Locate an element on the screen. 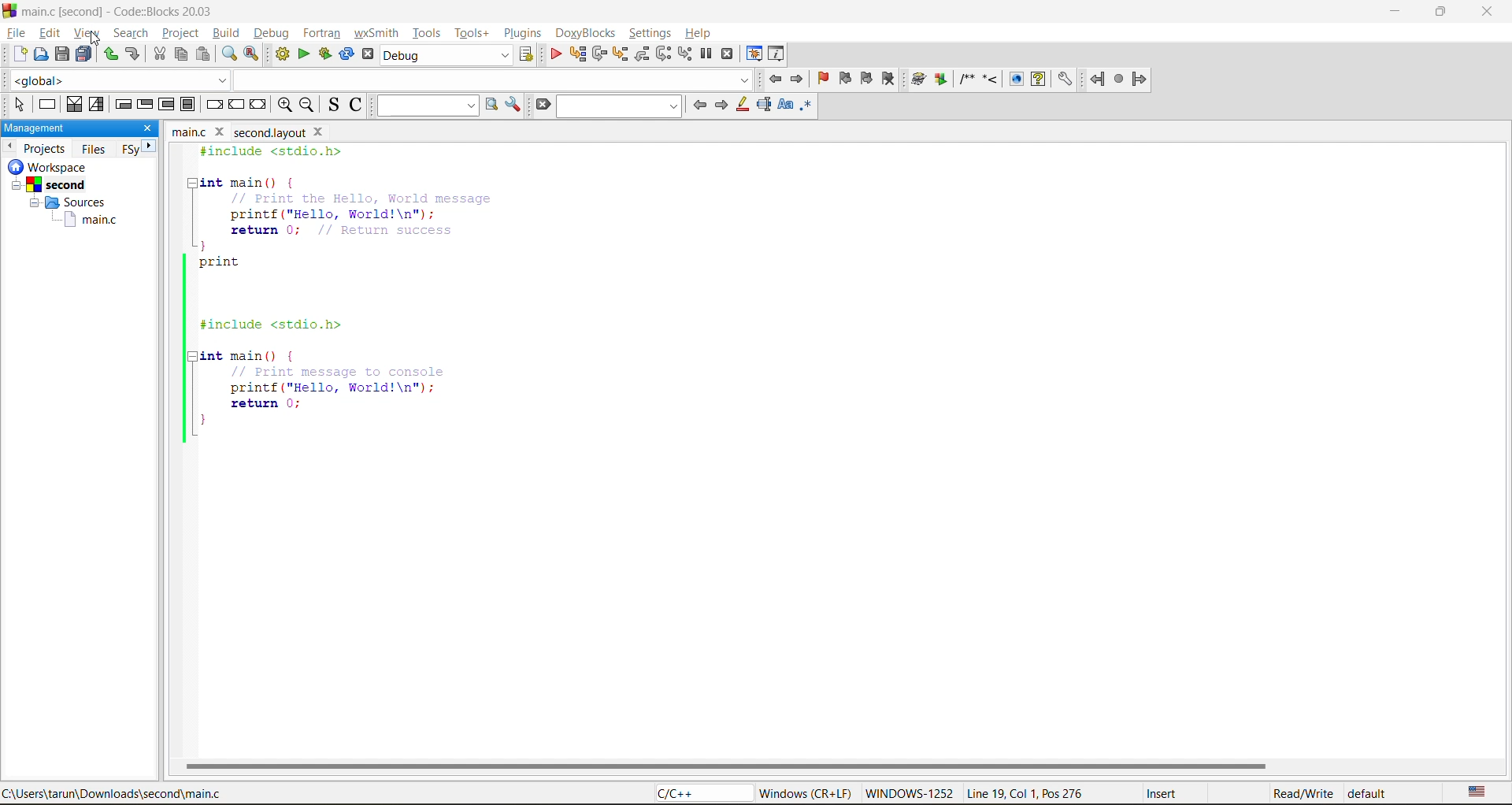  wxsmith is located at coordinates (377, 33).